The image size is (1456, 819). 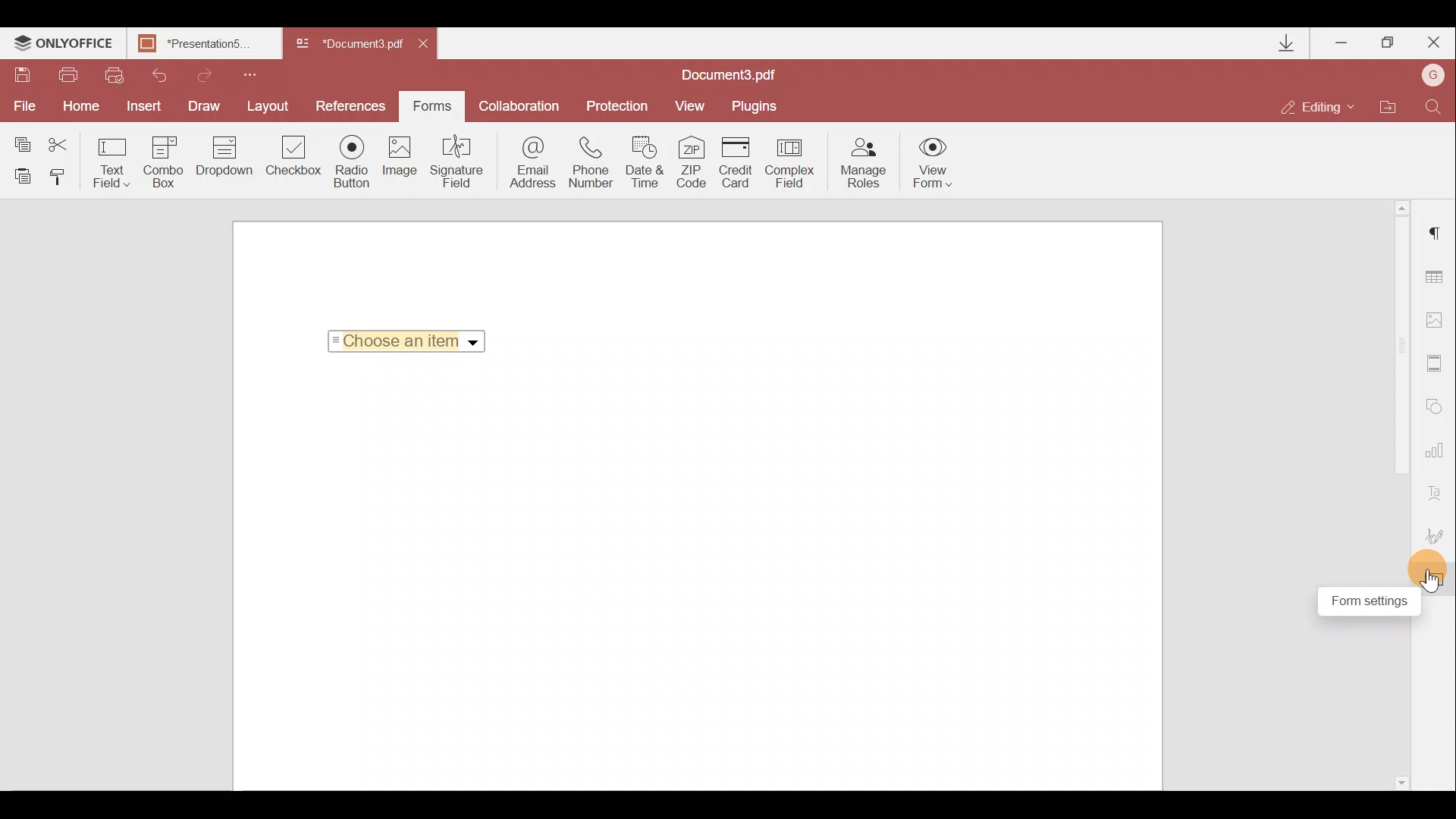 What do you see at coordinates (205, 105) in the screenshot?
I see `Draw` at bounding box center [205, 105].